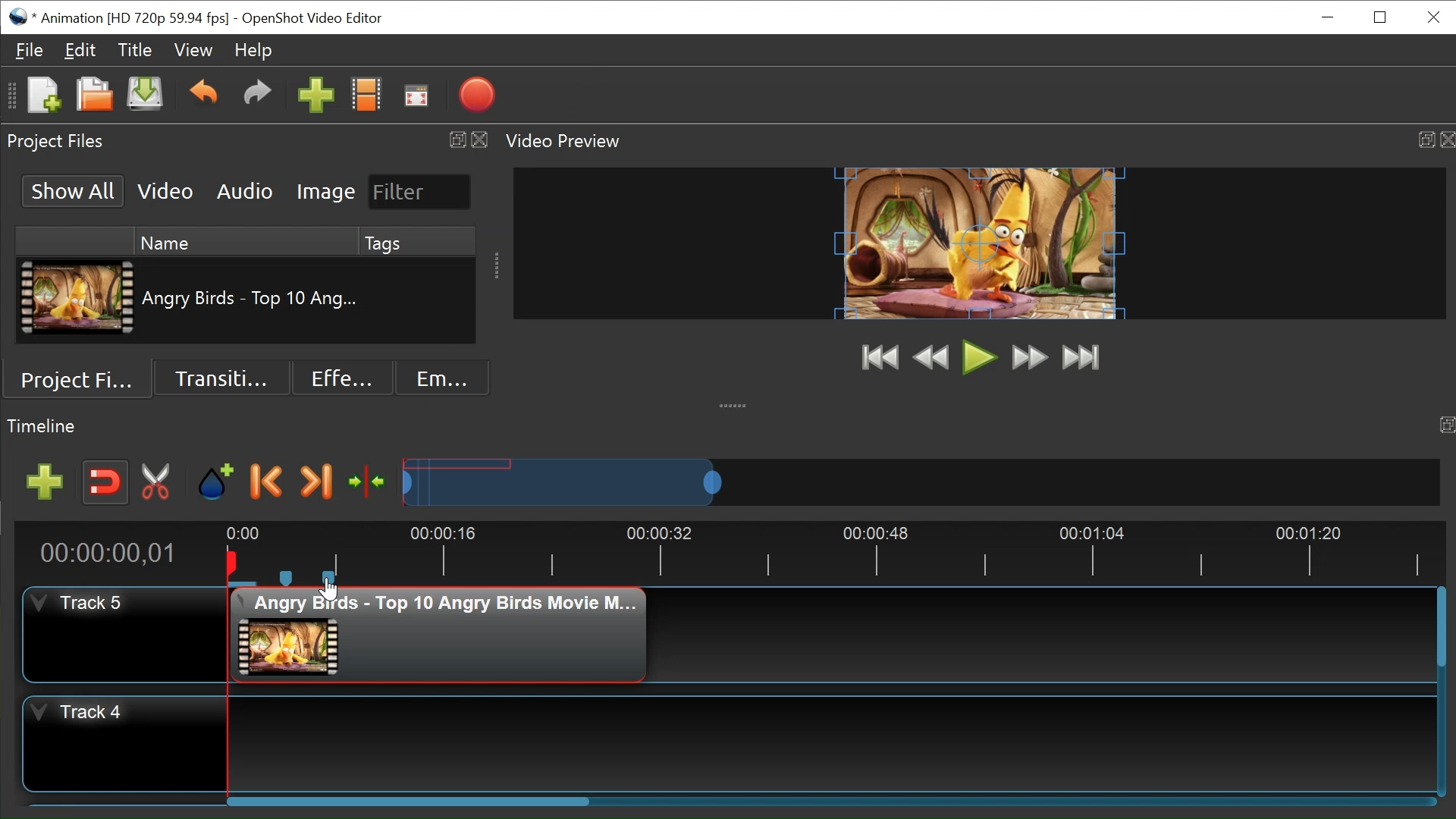 Image resolution: width=1456 pixels, height=819 pixels. I want to click on OpenShot Desktop Icon, so click(20, 17).